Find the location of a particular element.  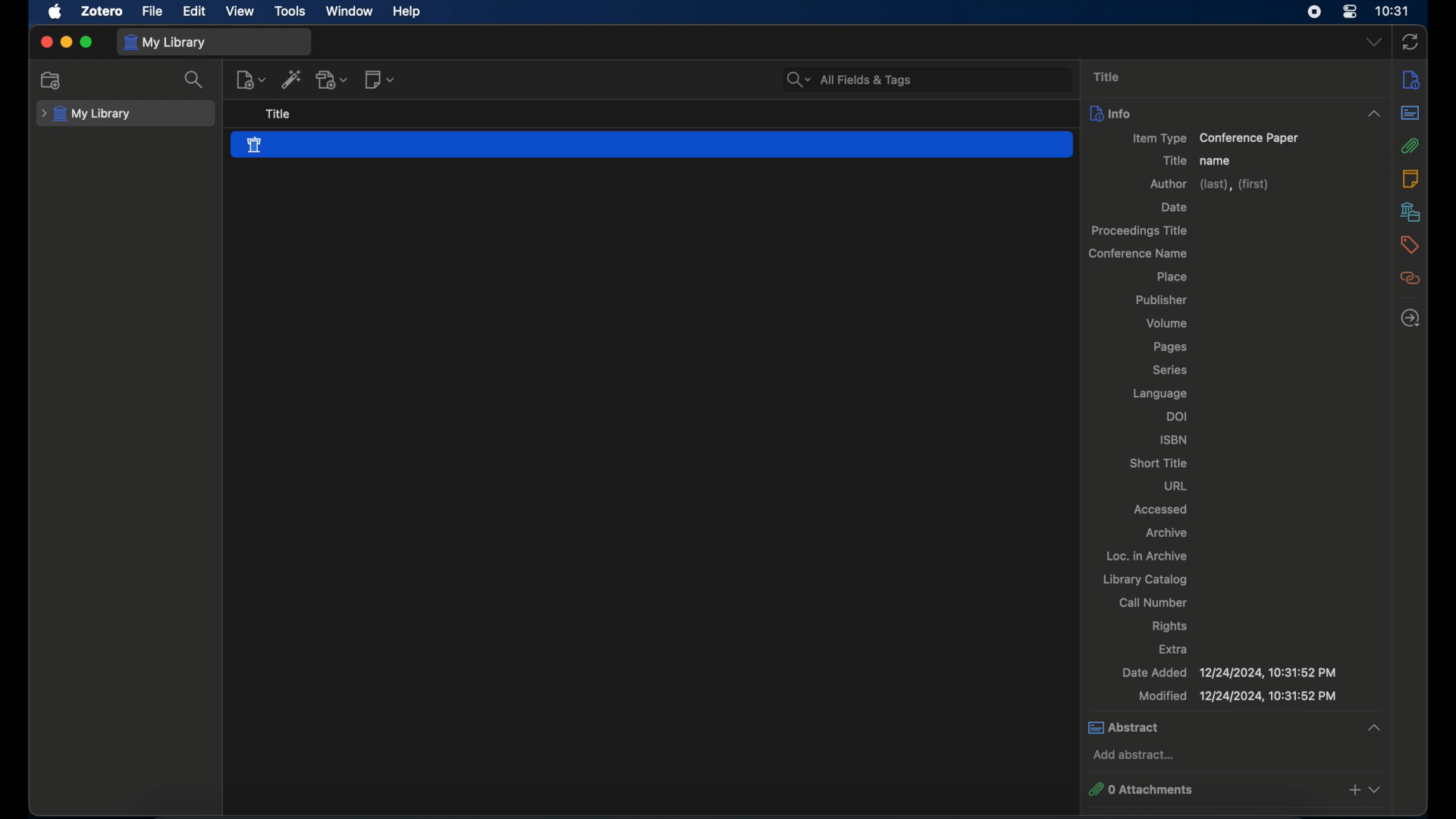

libraries is located at coordinates (1411, 212).